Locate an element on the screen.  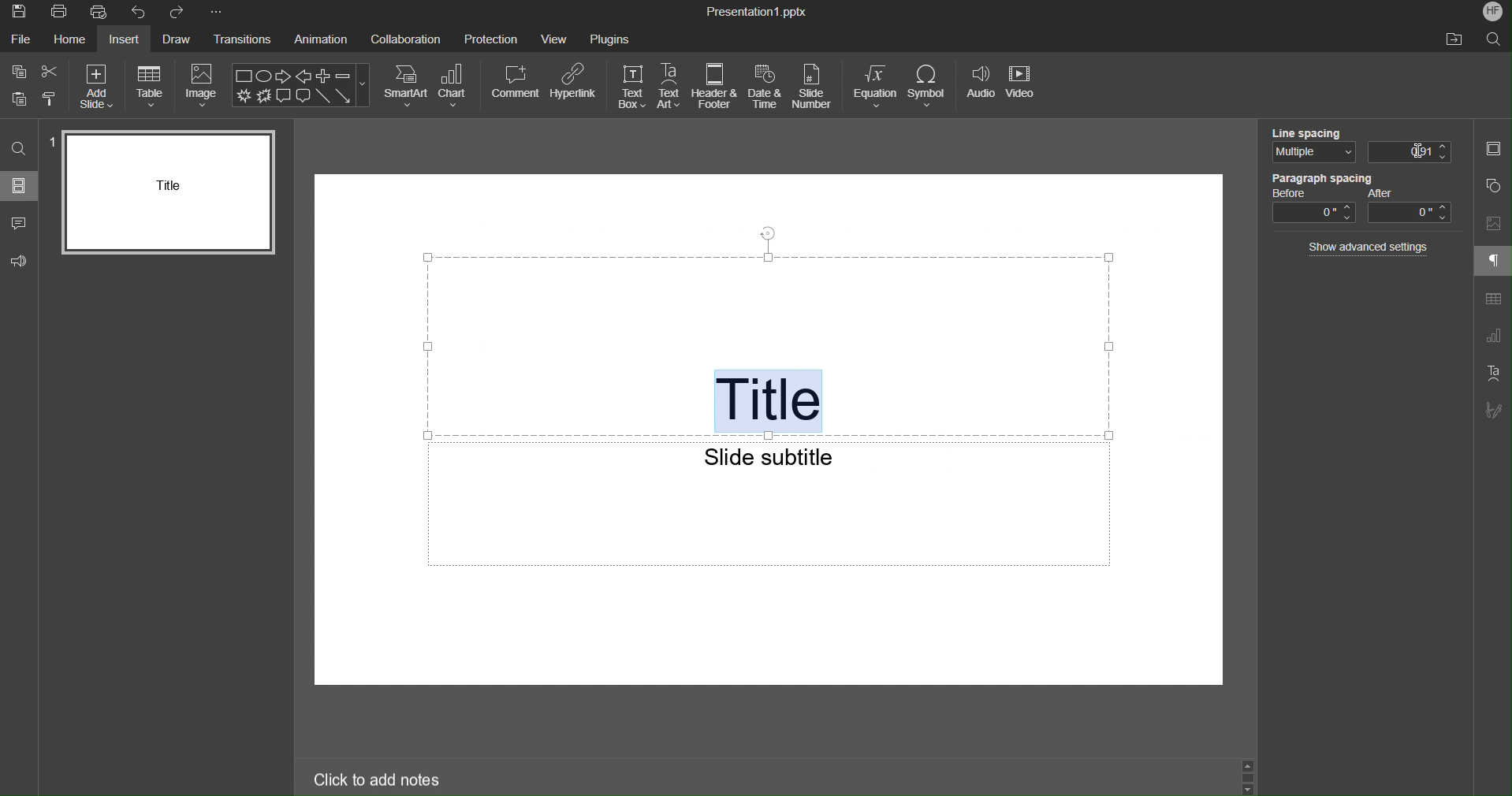
Paste is located at coordinates (17, 101).